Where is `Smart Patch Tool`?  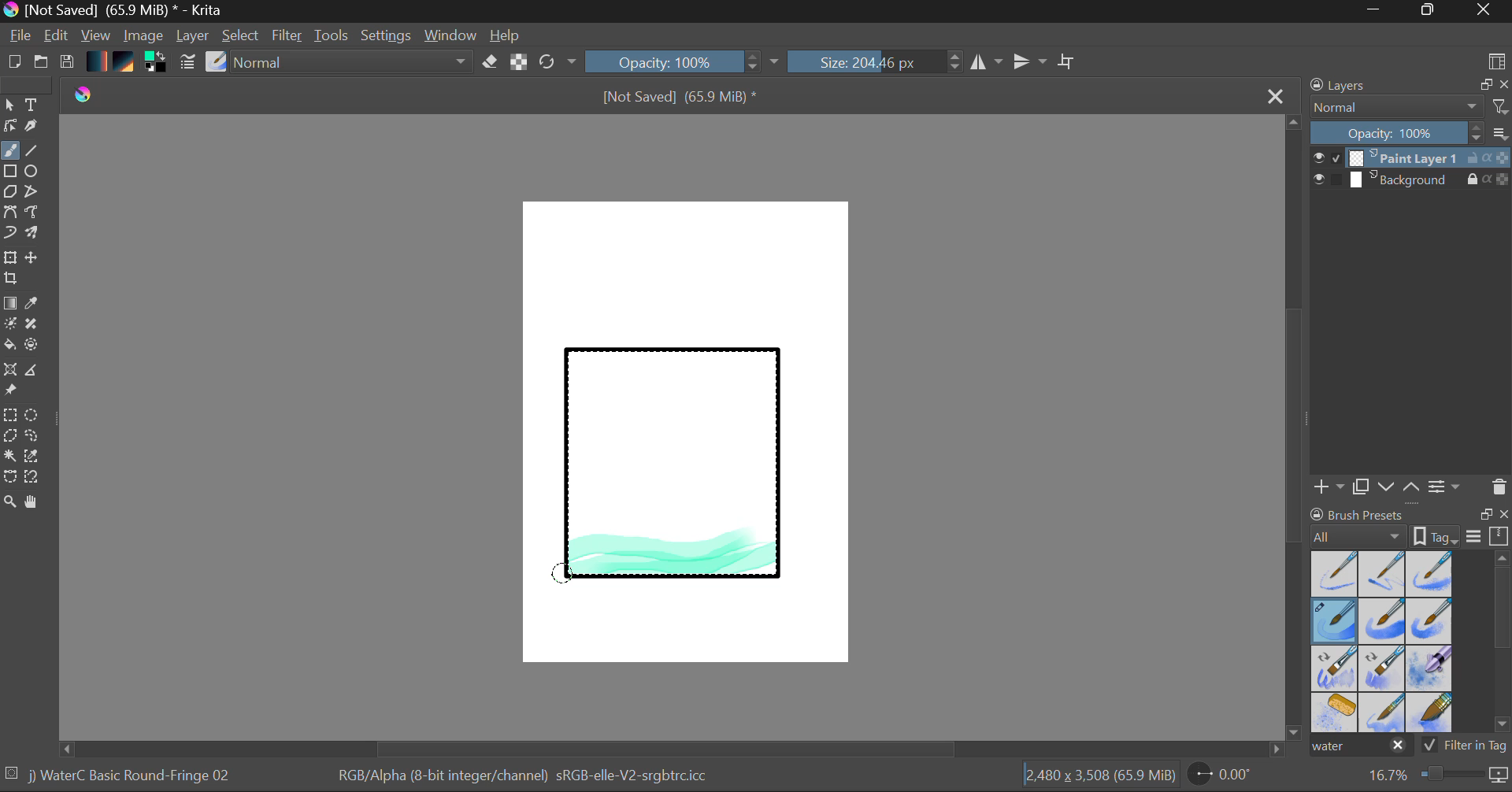 Smart Patch Tool is located at coordinates (37, 327).